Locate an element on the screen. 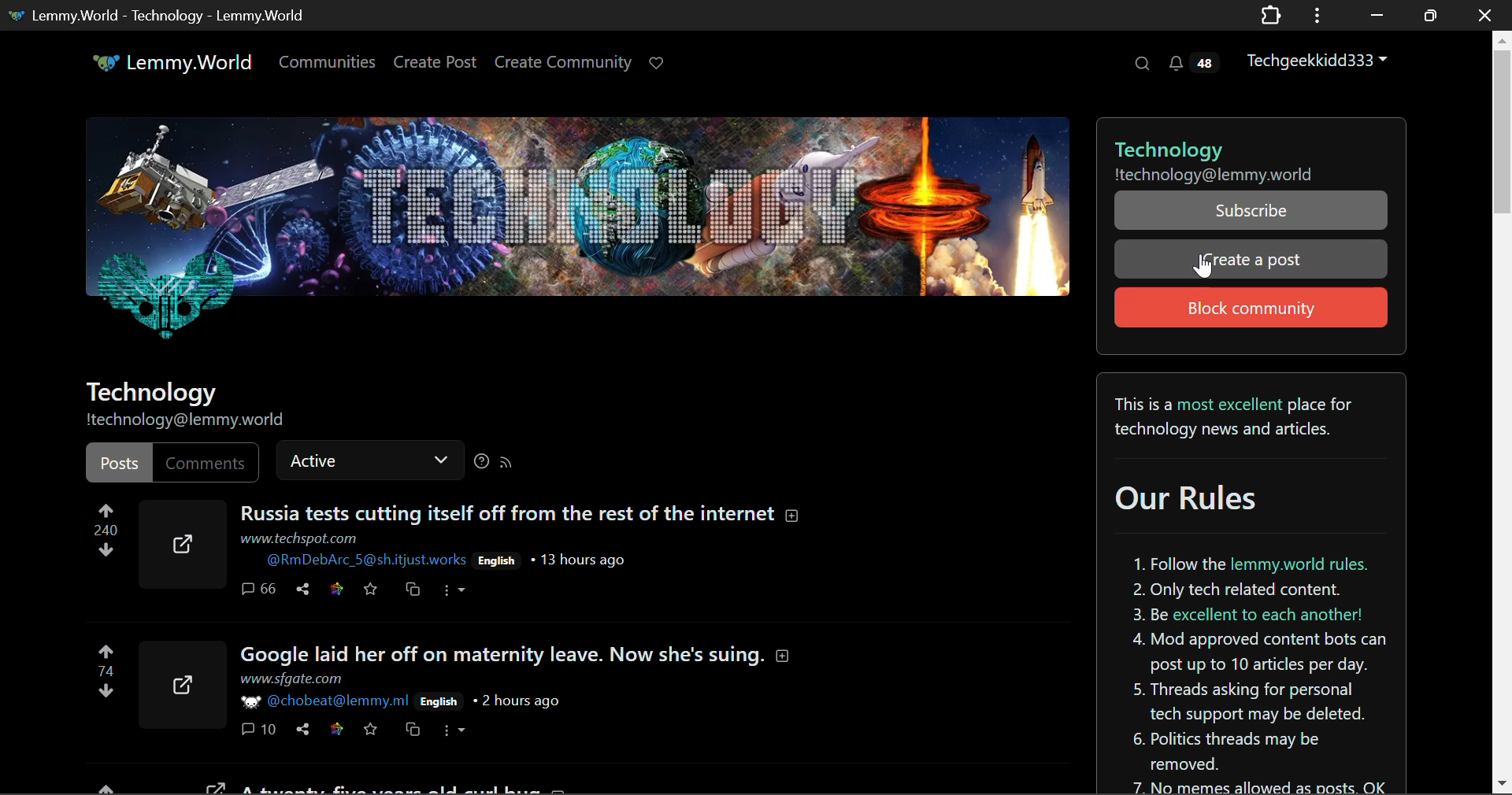 The image size is (1512, 795). www.techspot.com is located at coordinates (299, 539).